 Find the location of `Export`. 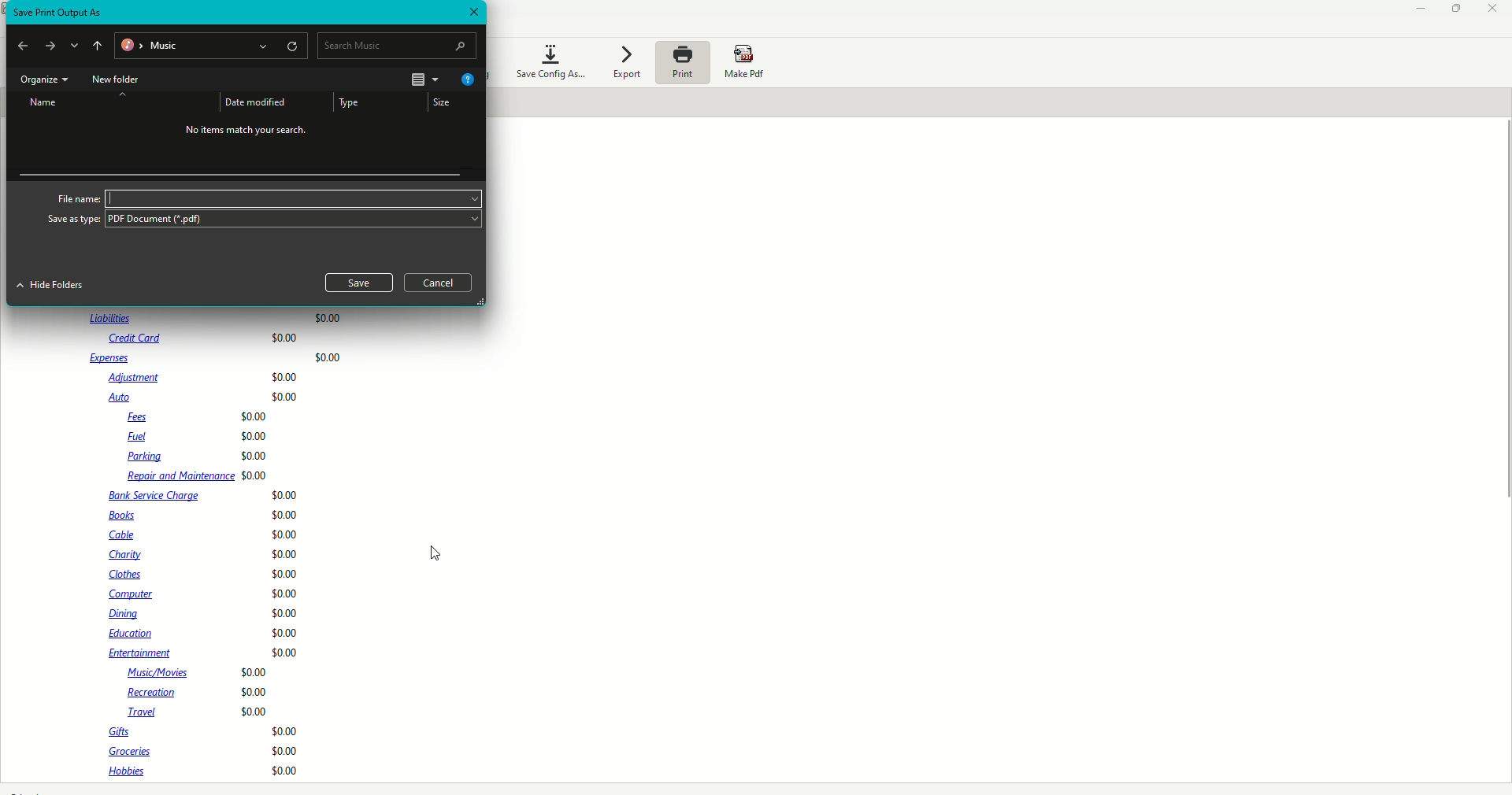

Export is located at coordinates (624, 64).